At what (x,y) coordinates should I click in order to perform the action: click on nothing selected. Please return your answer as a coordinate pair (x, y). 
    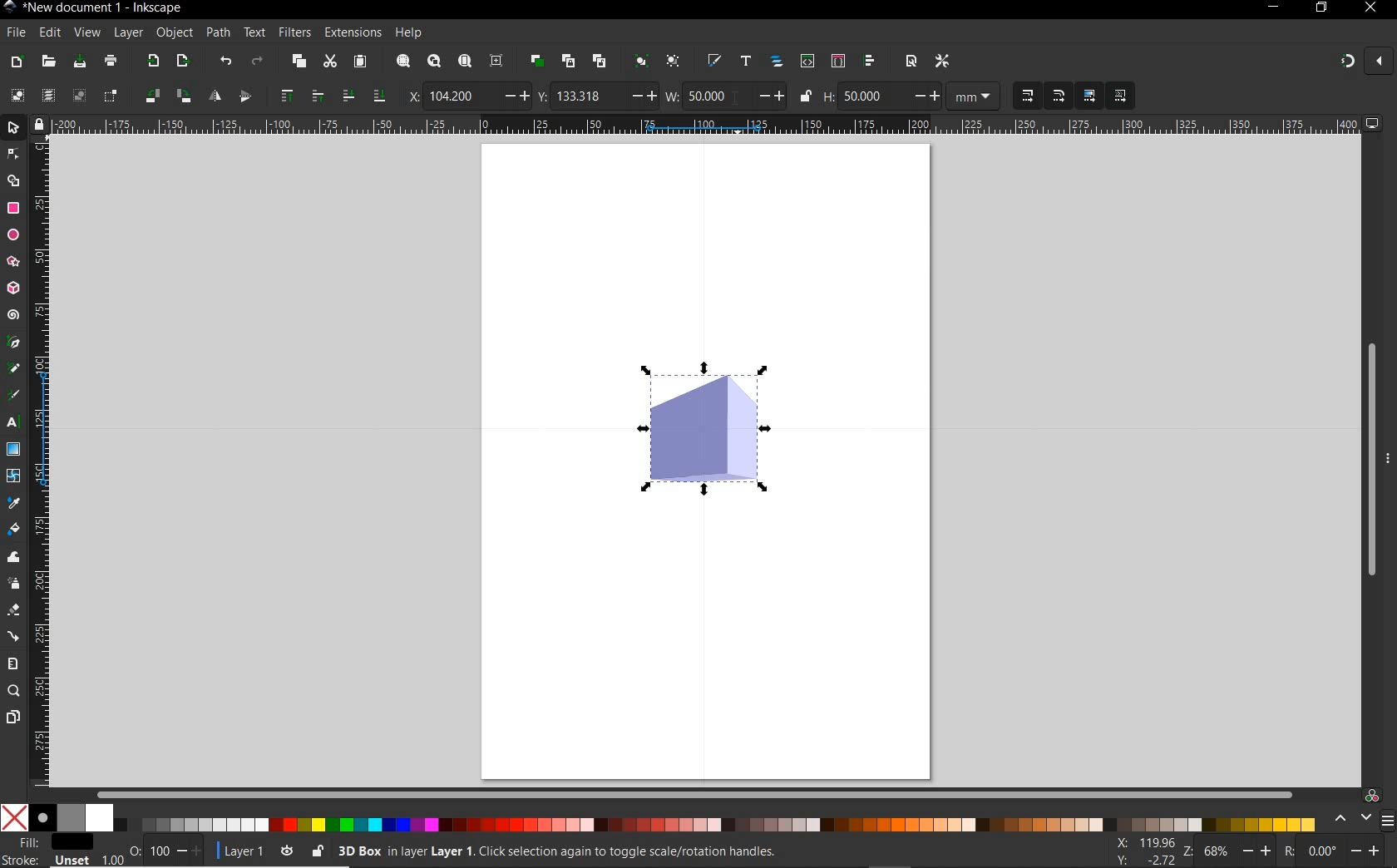
    Looking at the image, I should click on (134, 845).